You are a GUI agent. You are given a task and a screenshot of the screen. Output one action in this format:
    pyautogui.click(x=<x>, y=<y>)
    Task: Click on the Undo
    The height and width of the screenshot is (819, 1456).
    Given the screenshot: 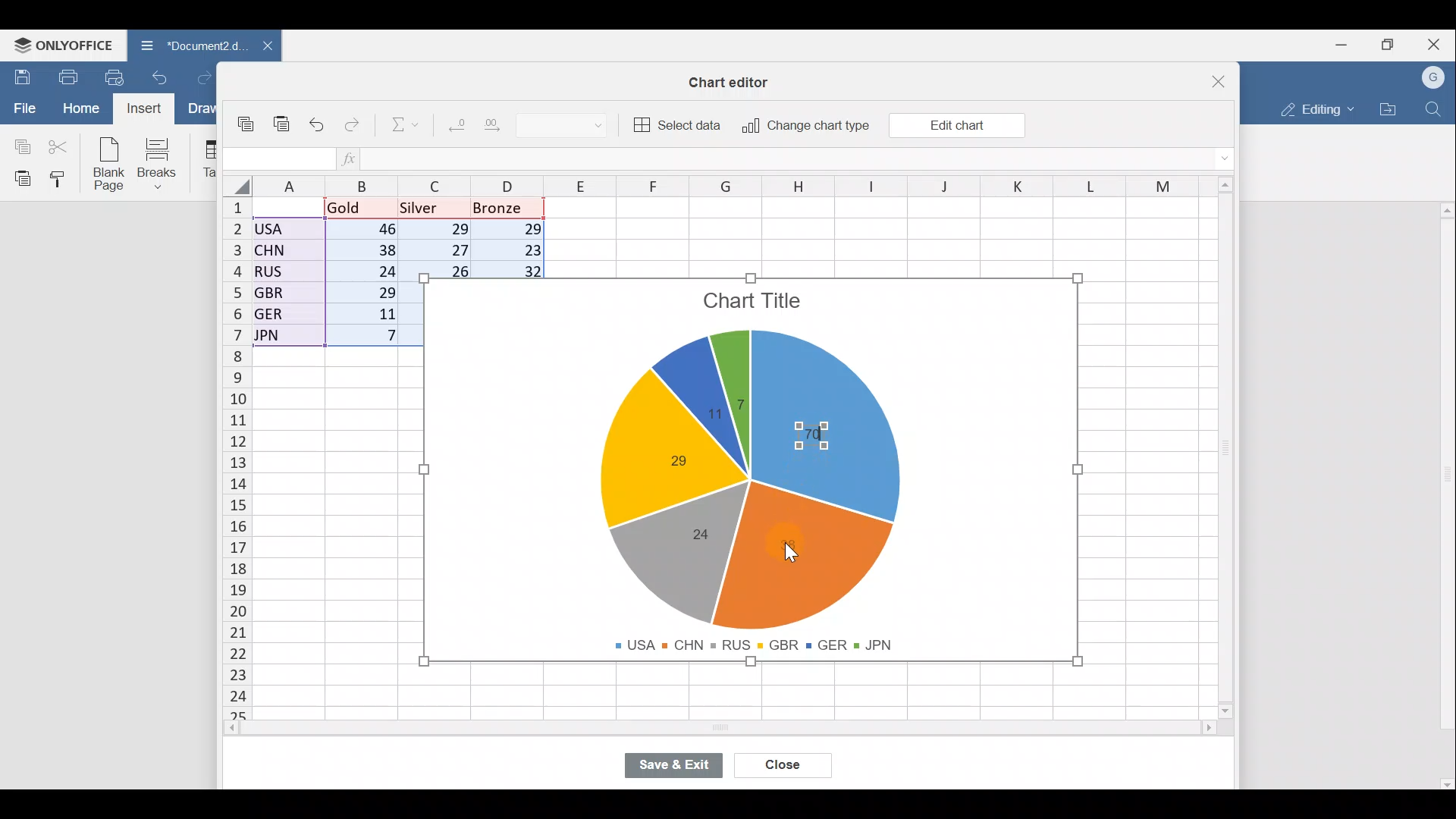 What is the action you would take?
    pyautogui.click(x=164, y=82)
    